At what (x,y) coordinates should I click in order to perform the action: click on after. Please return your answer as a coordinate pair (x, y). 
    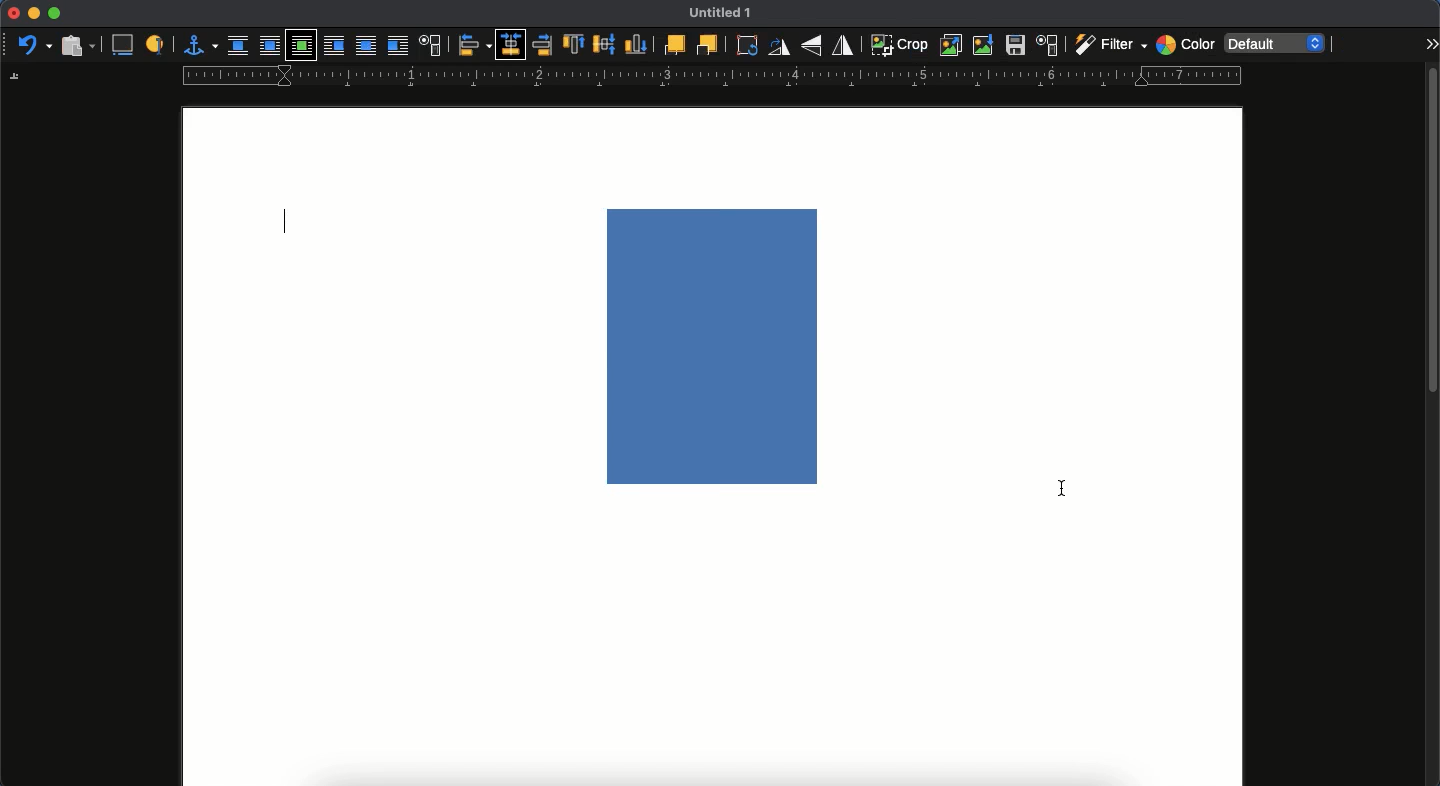
    Looking at the image, I should click on (401, 46).